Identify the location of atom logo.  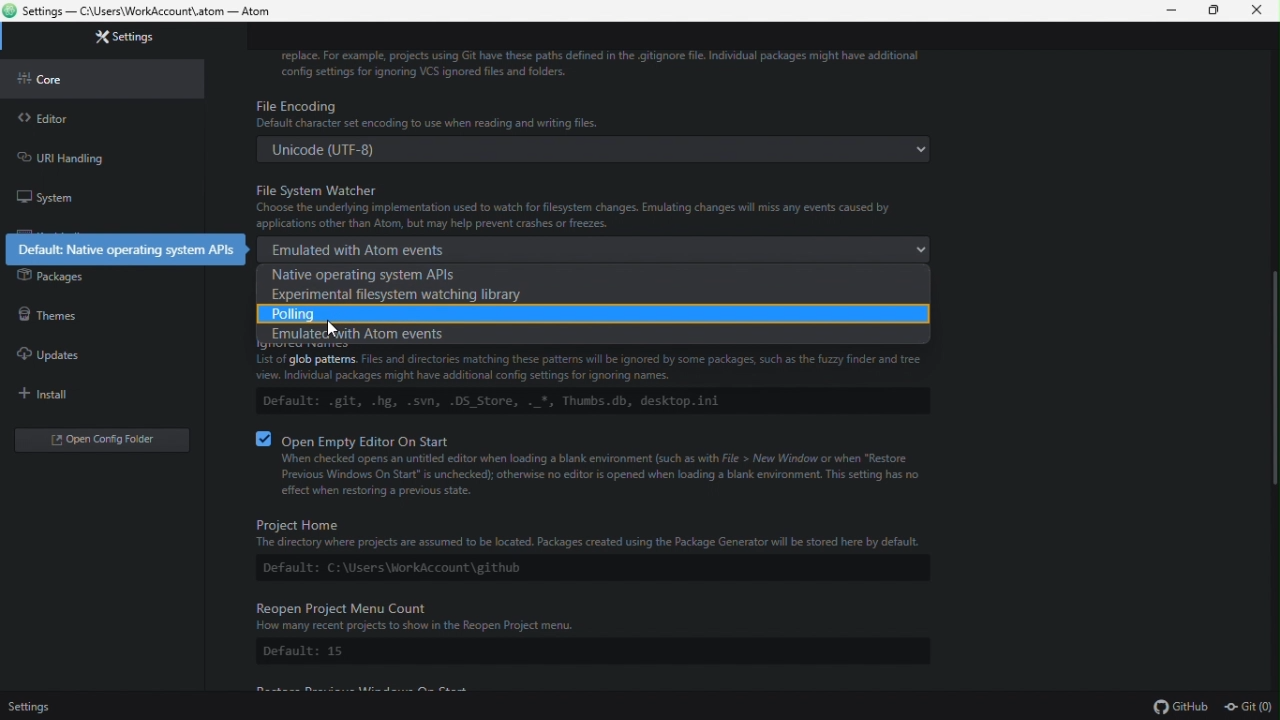
(10, 12).